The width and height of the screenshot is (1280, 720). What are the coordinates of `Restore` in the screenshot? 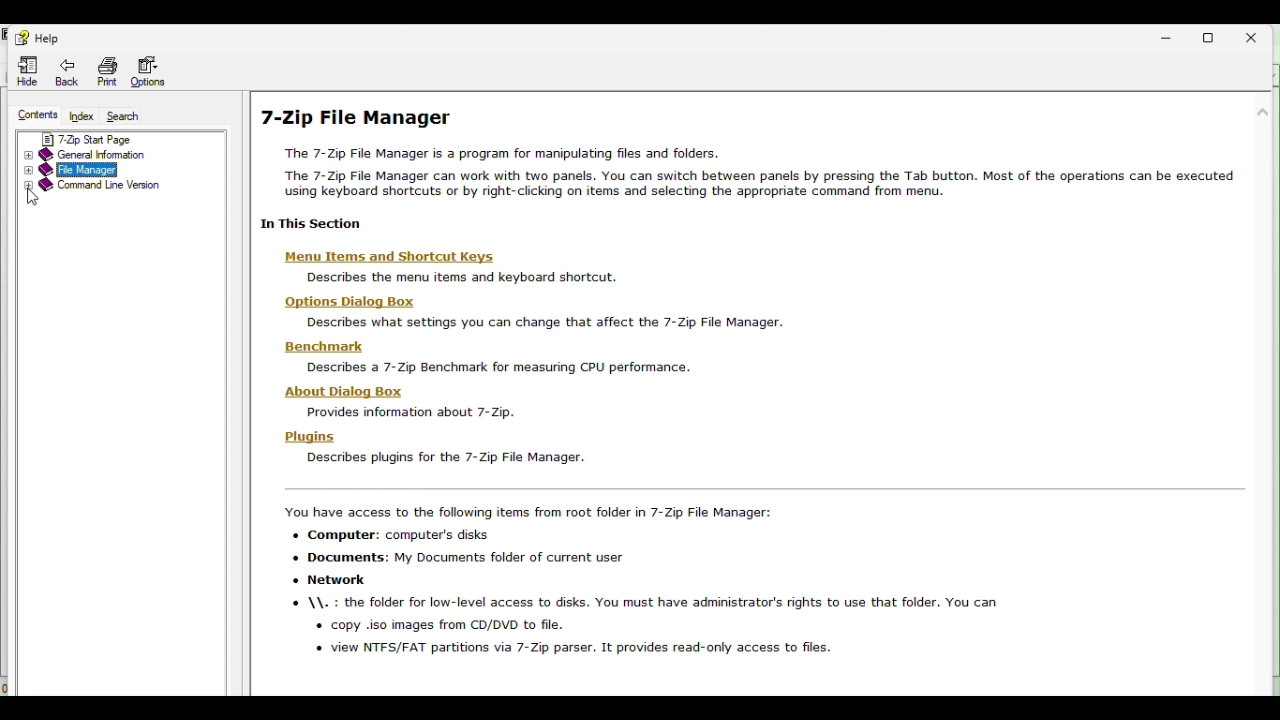 It's located at (1220, 34).